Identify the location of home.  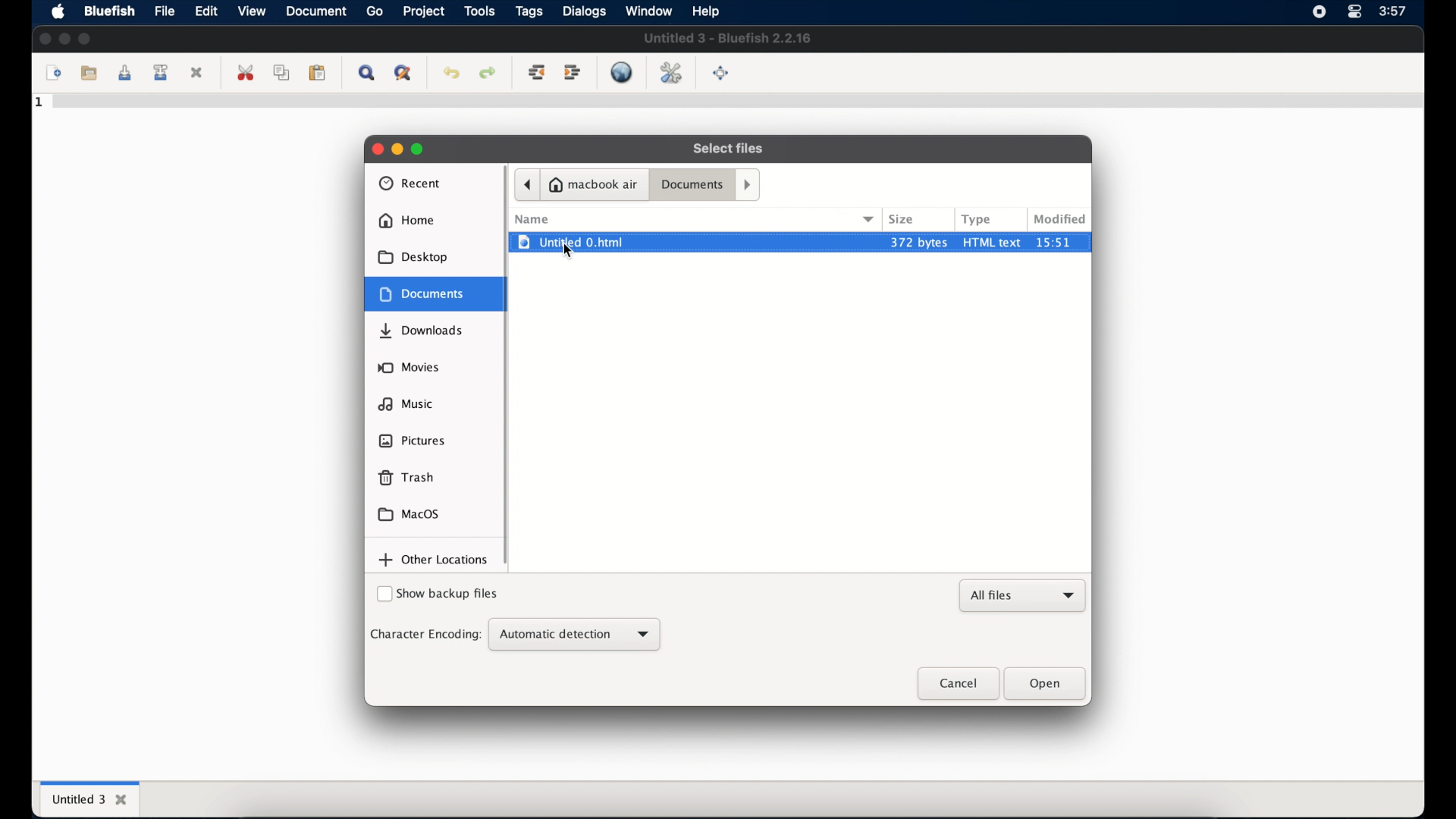
(406, 221).